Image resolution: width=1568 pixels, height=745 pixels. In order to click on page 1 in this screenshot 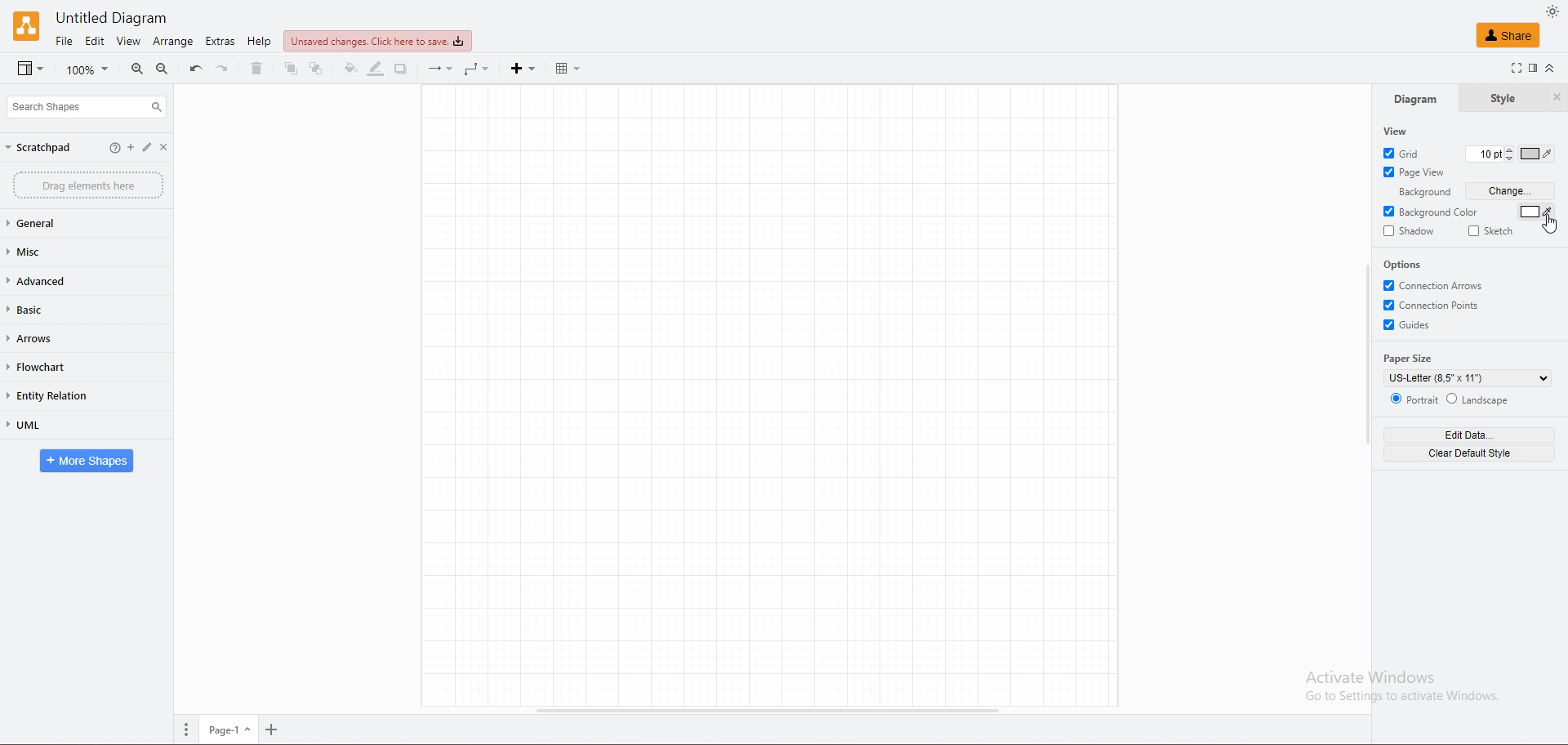, I will do `click(229, 730)`.